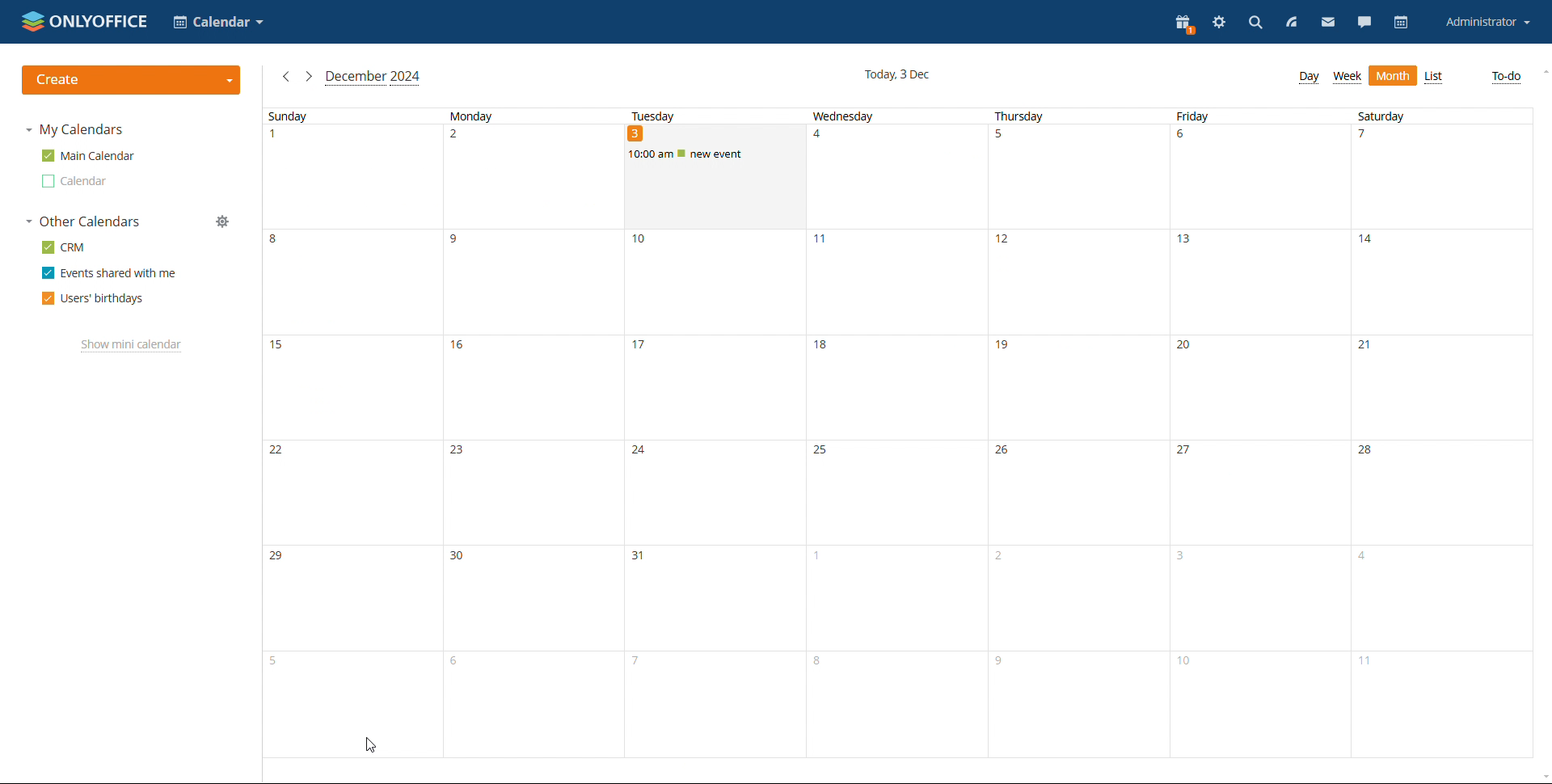 This screenshot has height=784, width=1552. I want to click on account, so click(1488, 21).